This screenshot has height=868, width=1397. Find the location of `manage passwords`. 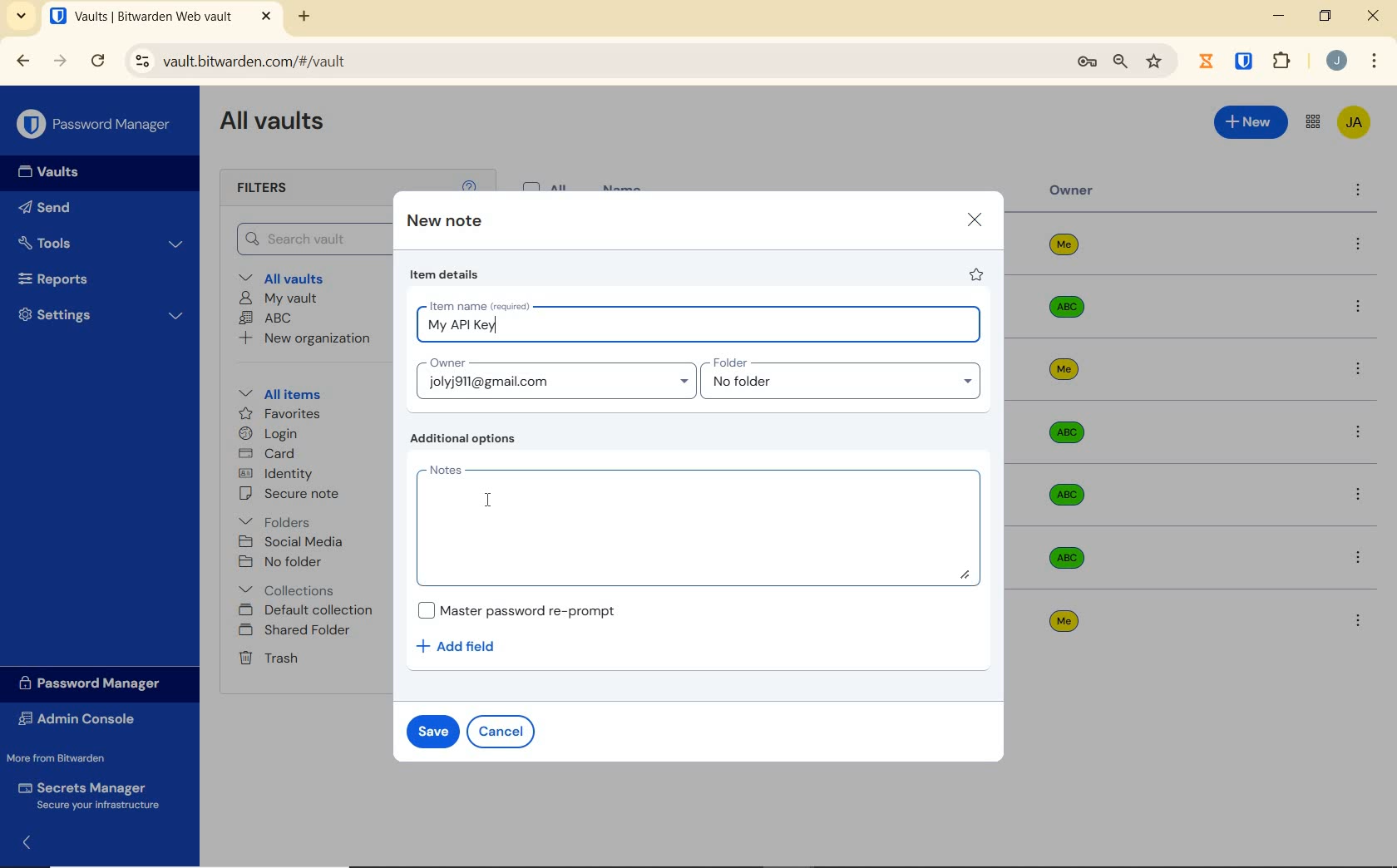

manage passwords is located at coordinates (1087, 63).